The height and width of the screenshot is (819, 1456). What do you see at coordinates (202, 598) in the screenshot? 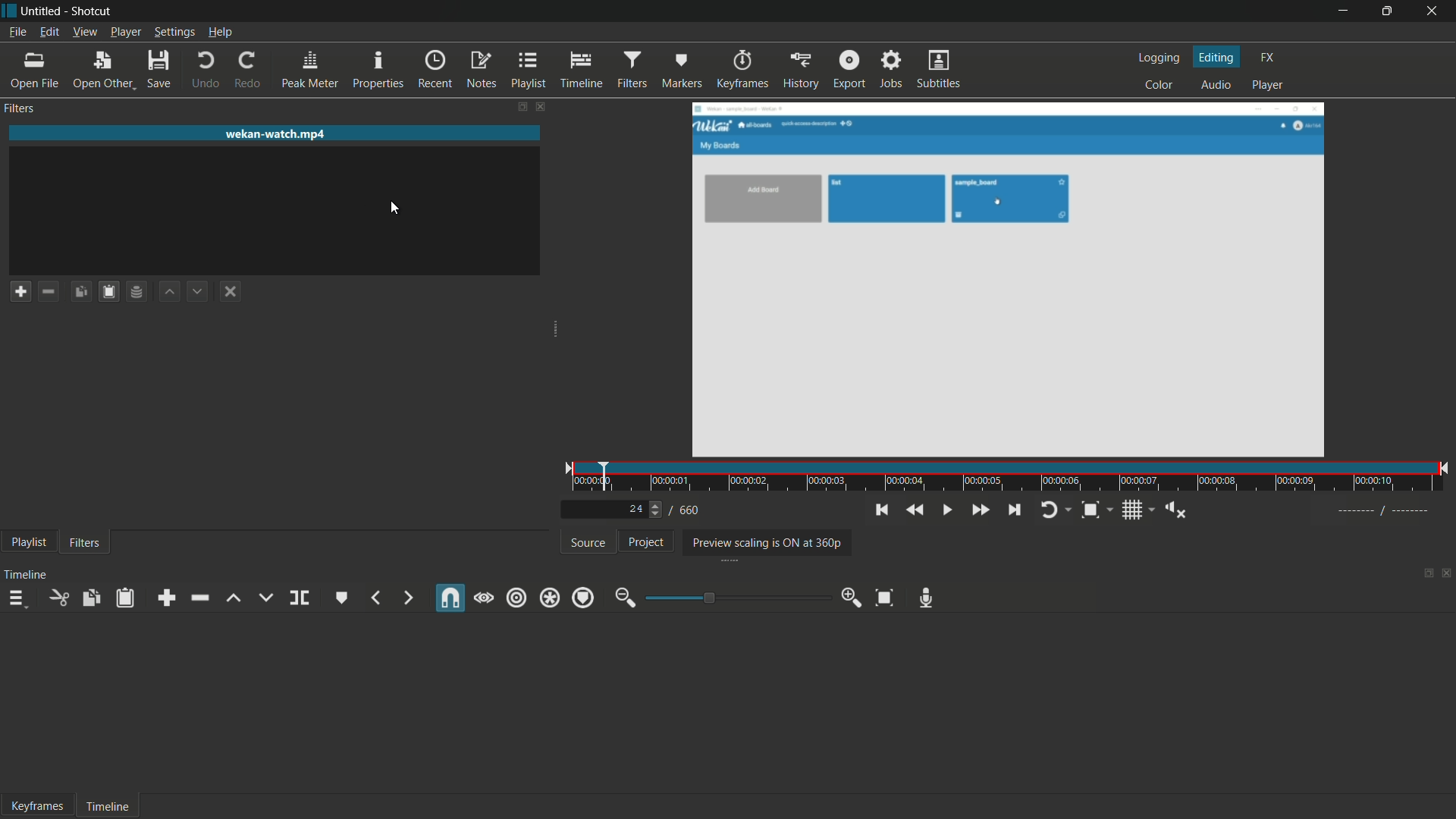
I see `ripple delete` at bounding box center [202, 598].